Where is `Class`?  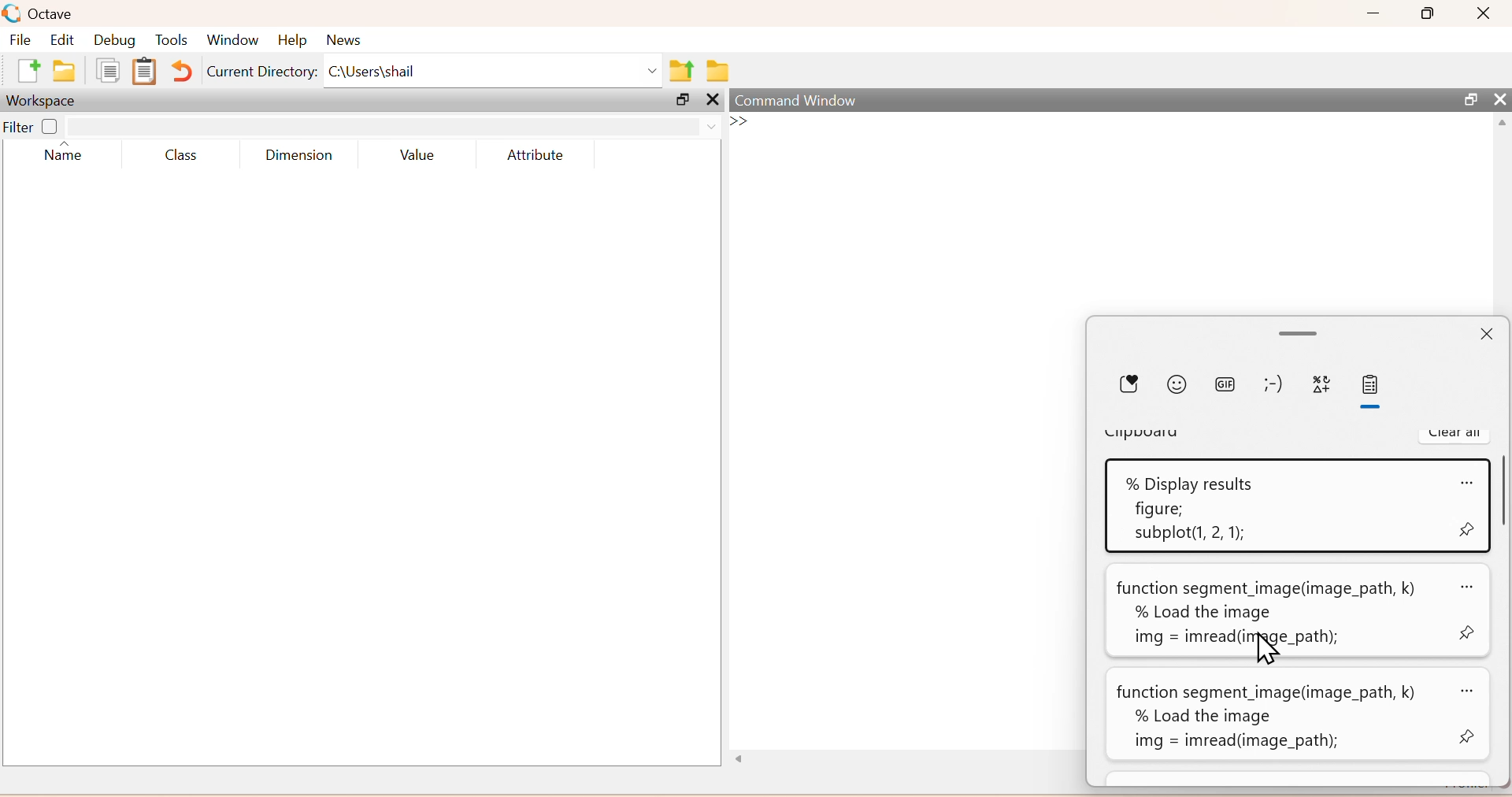
Class is located at coordinates (184, 156).